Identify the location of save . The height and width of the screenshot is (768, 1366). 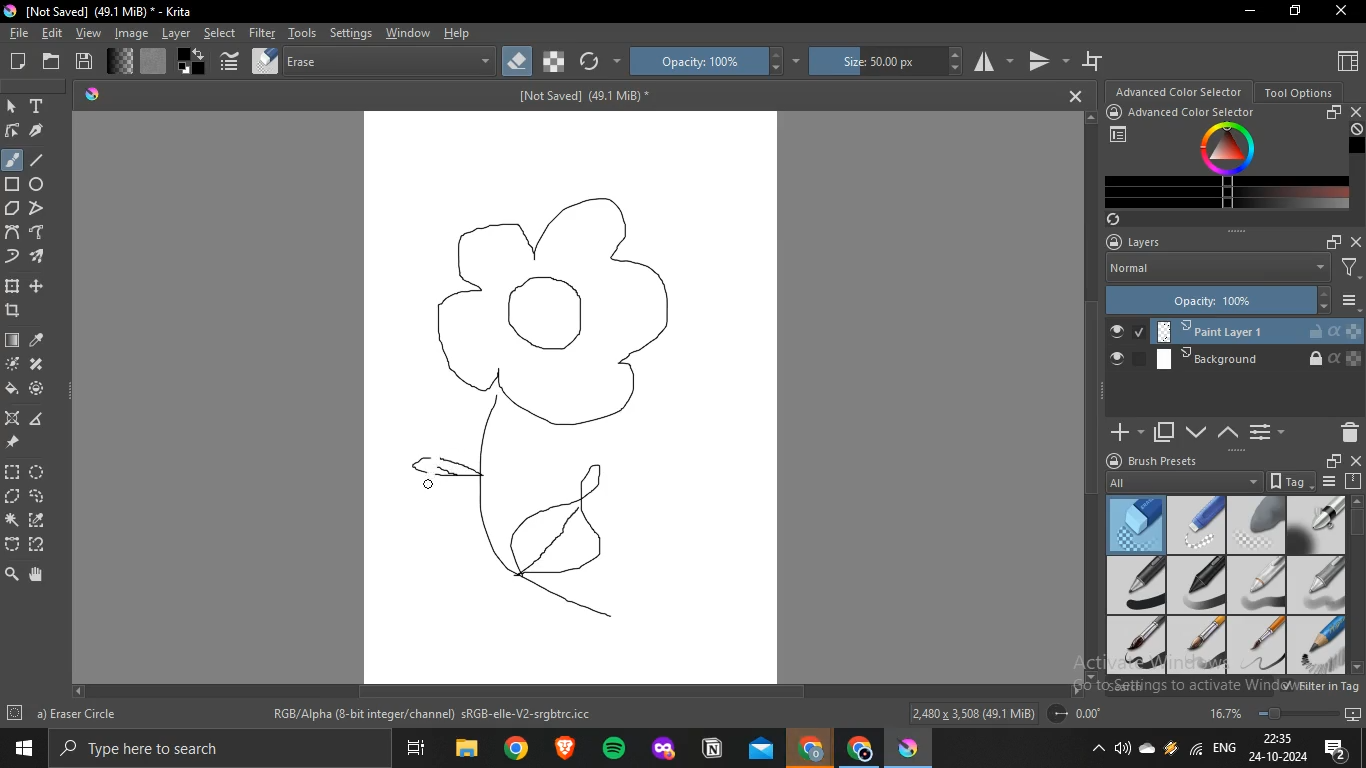
(85, 61).